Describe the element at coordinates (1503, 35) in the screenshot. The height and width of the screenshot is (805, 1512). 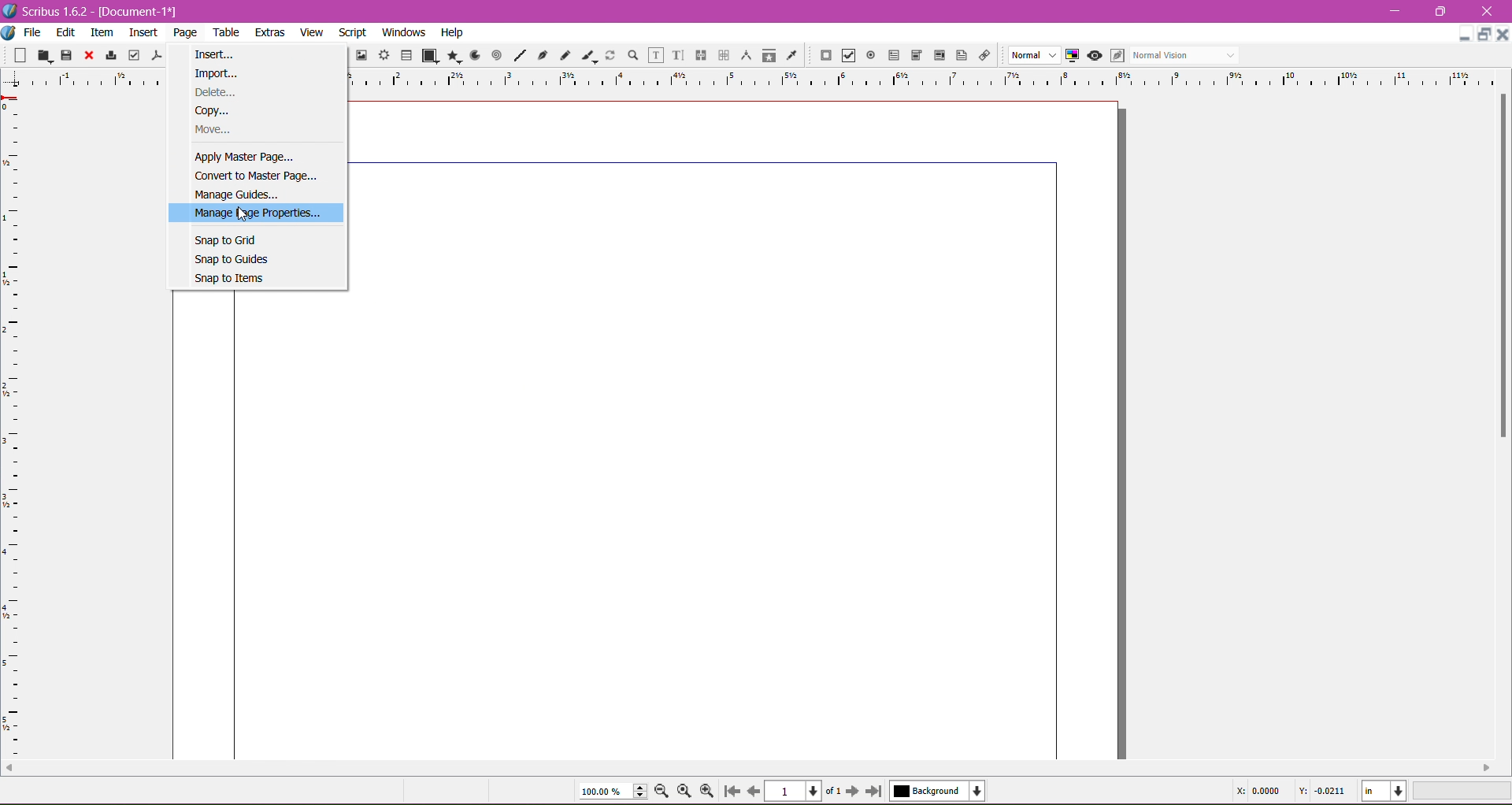
I see `Close Document` at that location.